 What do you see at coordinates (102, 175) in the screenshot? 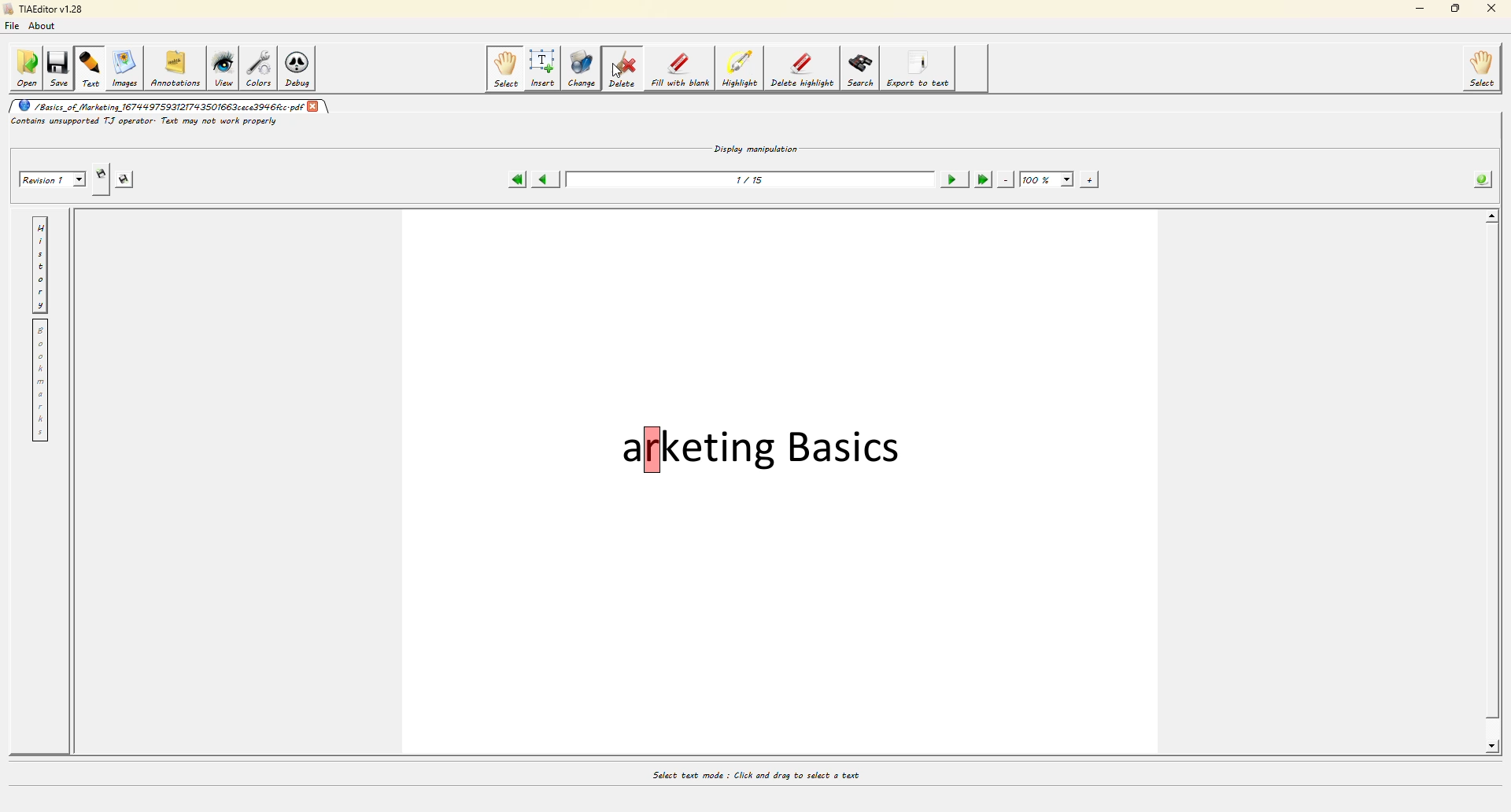
I see `creates new revisio` at bounding box center [102, 175].